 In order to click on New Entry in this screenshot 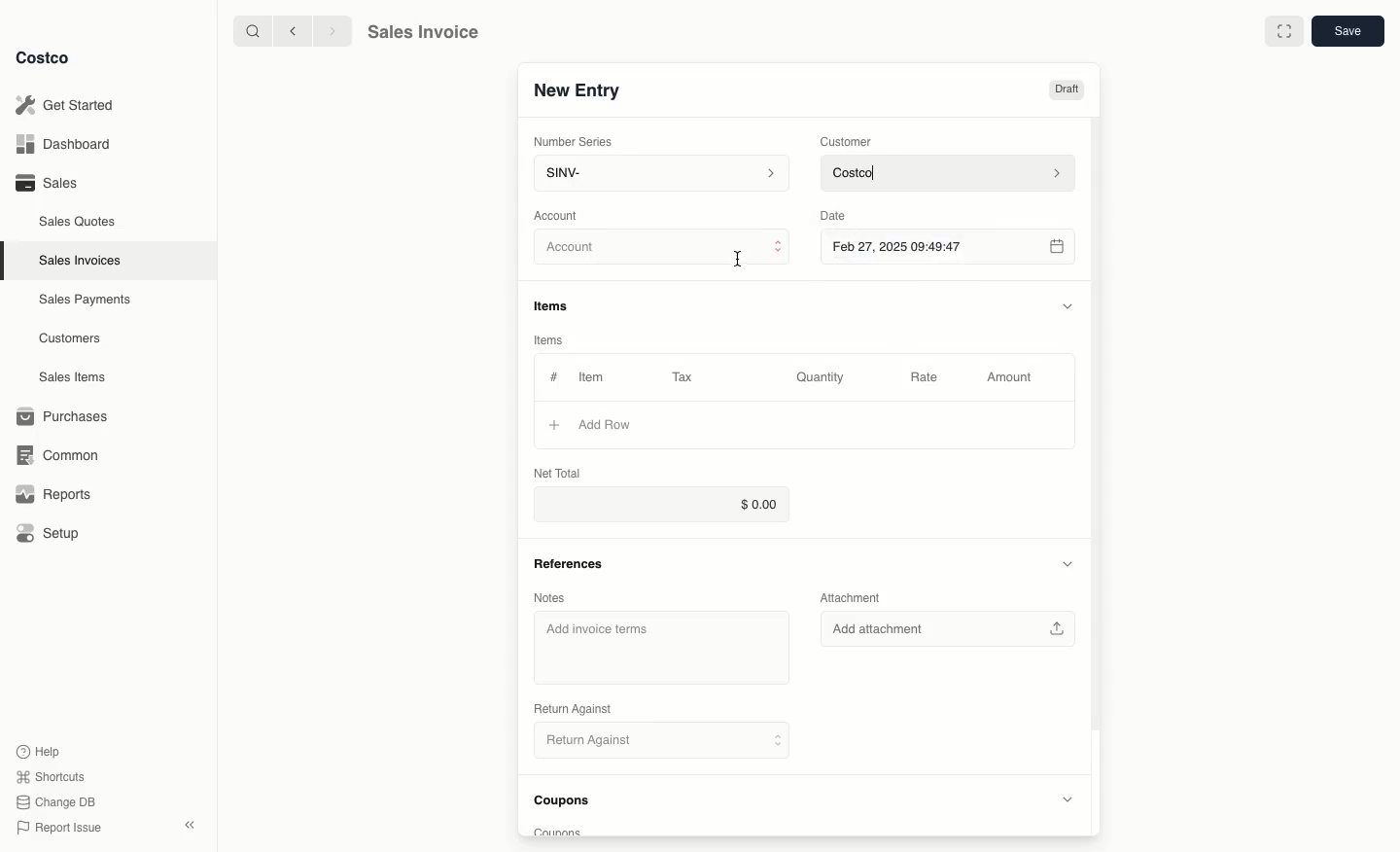, I will do `click(577, 90)`.